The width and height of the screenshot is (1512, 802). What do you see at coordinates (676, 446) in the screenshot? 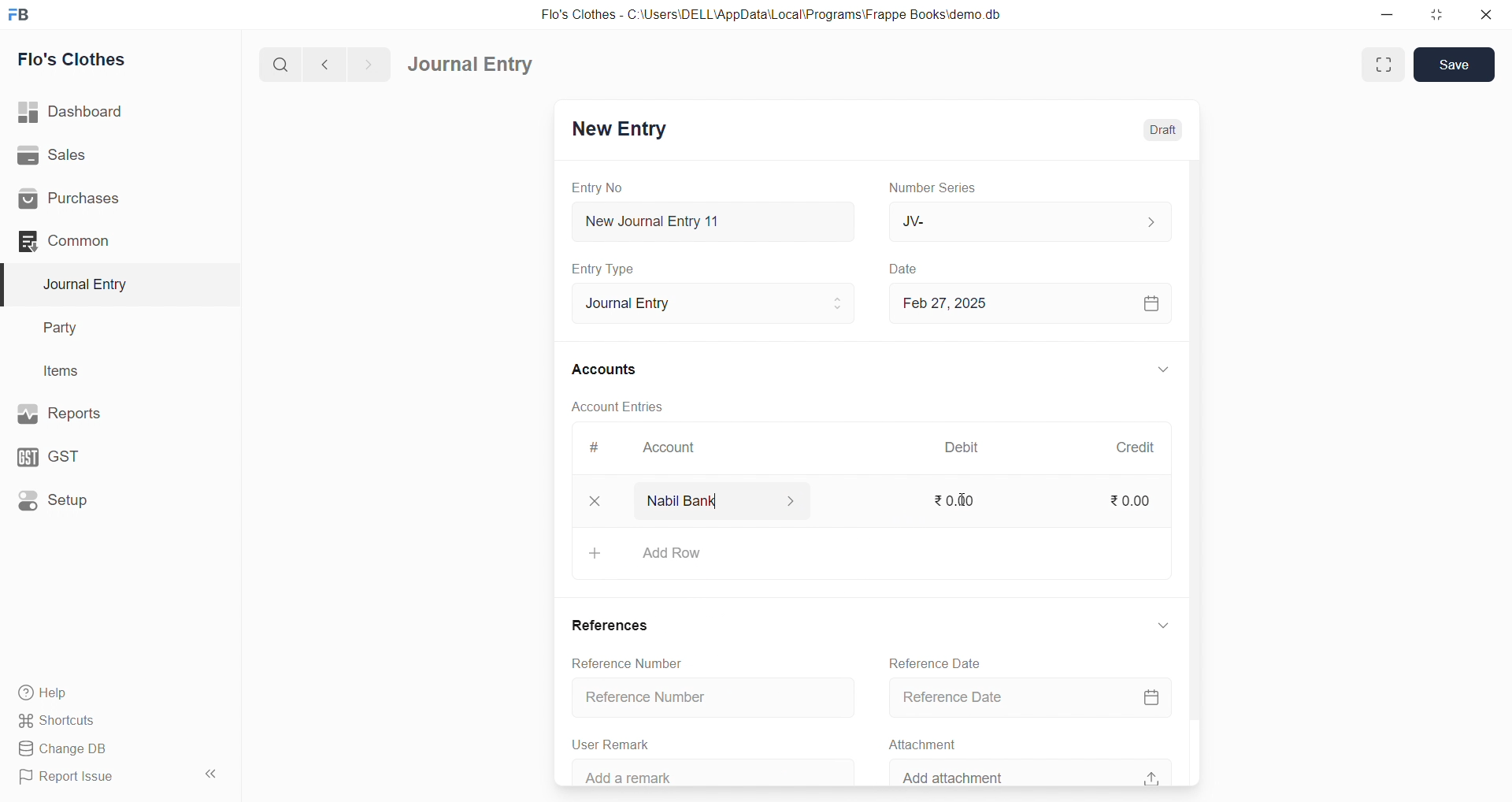
I see `Account` at bounding box center [676, 446].